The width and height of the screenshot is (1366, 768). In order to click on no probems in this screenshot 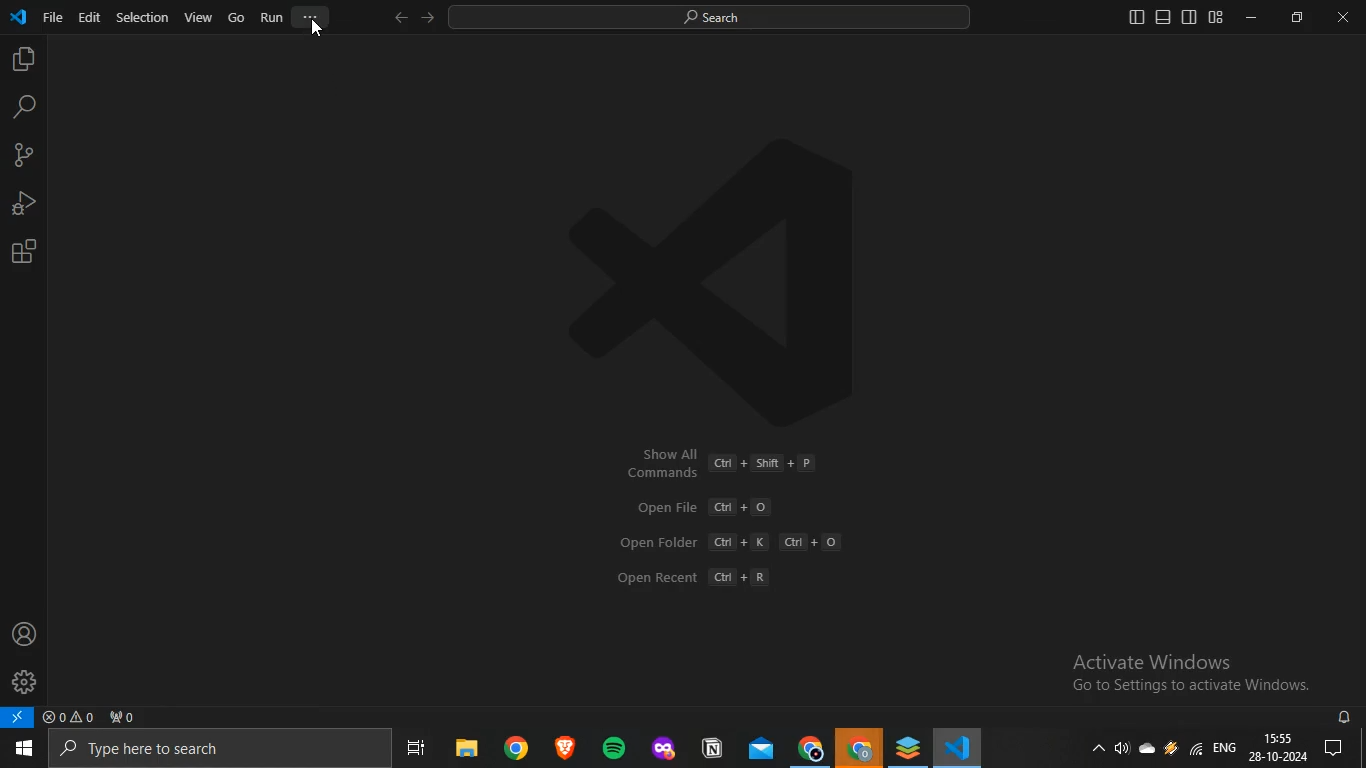, I will do `click(67, 717)`.